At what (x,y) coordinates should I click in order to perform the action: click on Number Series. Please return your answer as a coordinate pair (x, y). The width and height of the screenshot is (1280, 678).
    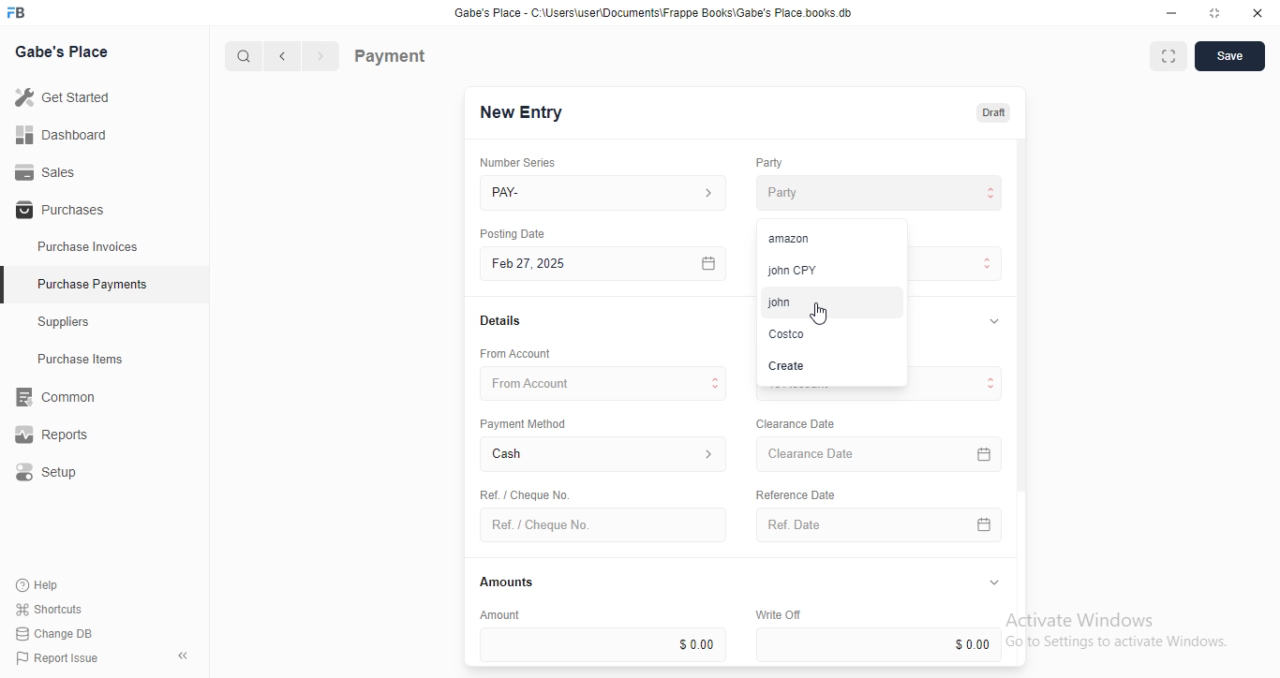
    Looking at the image, I should click on (510, 162).